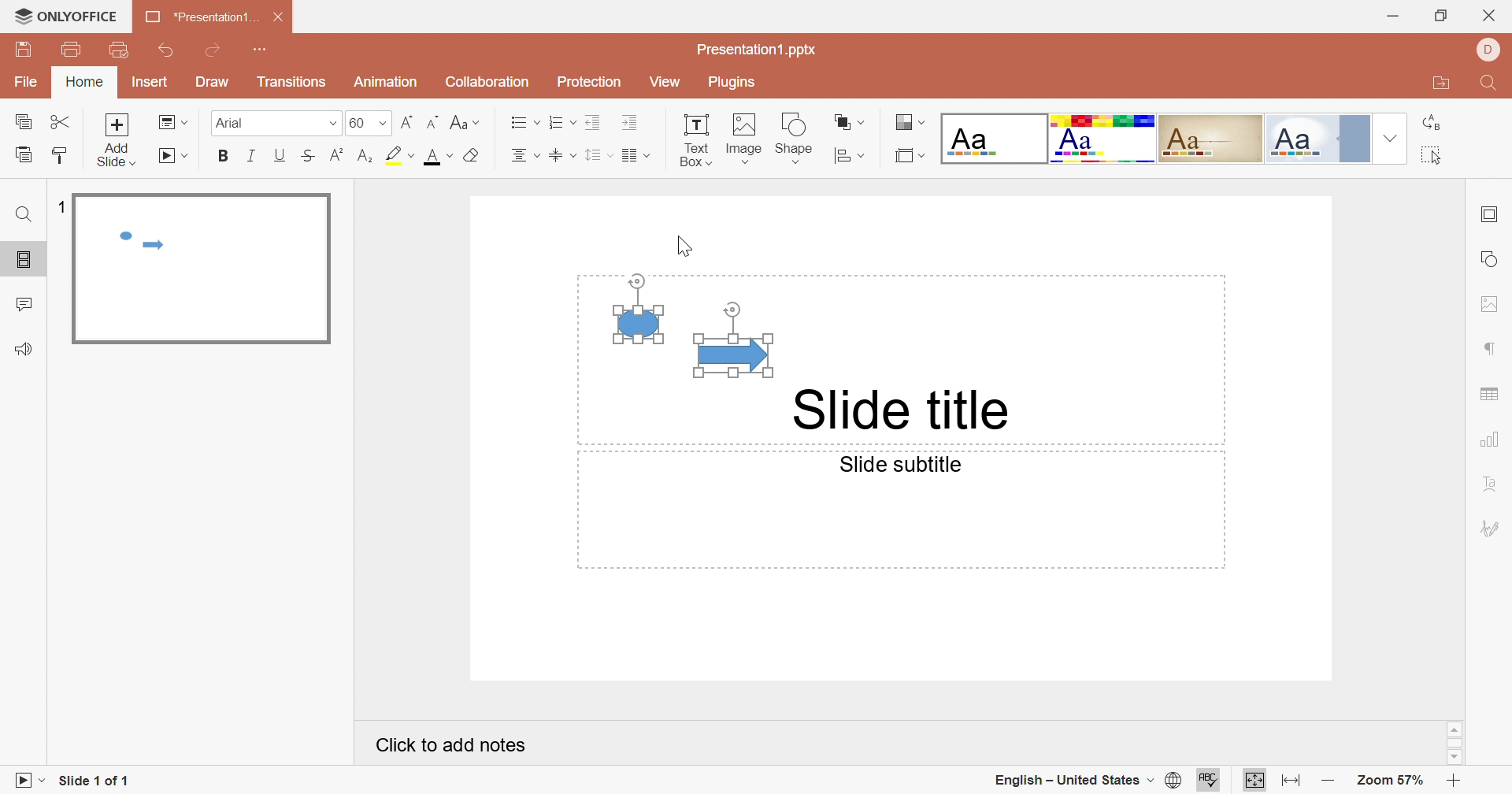  What do you see at coordinates (847, 158) in the screenshot?
I see `Align shape` at bounding box center [847, 158].